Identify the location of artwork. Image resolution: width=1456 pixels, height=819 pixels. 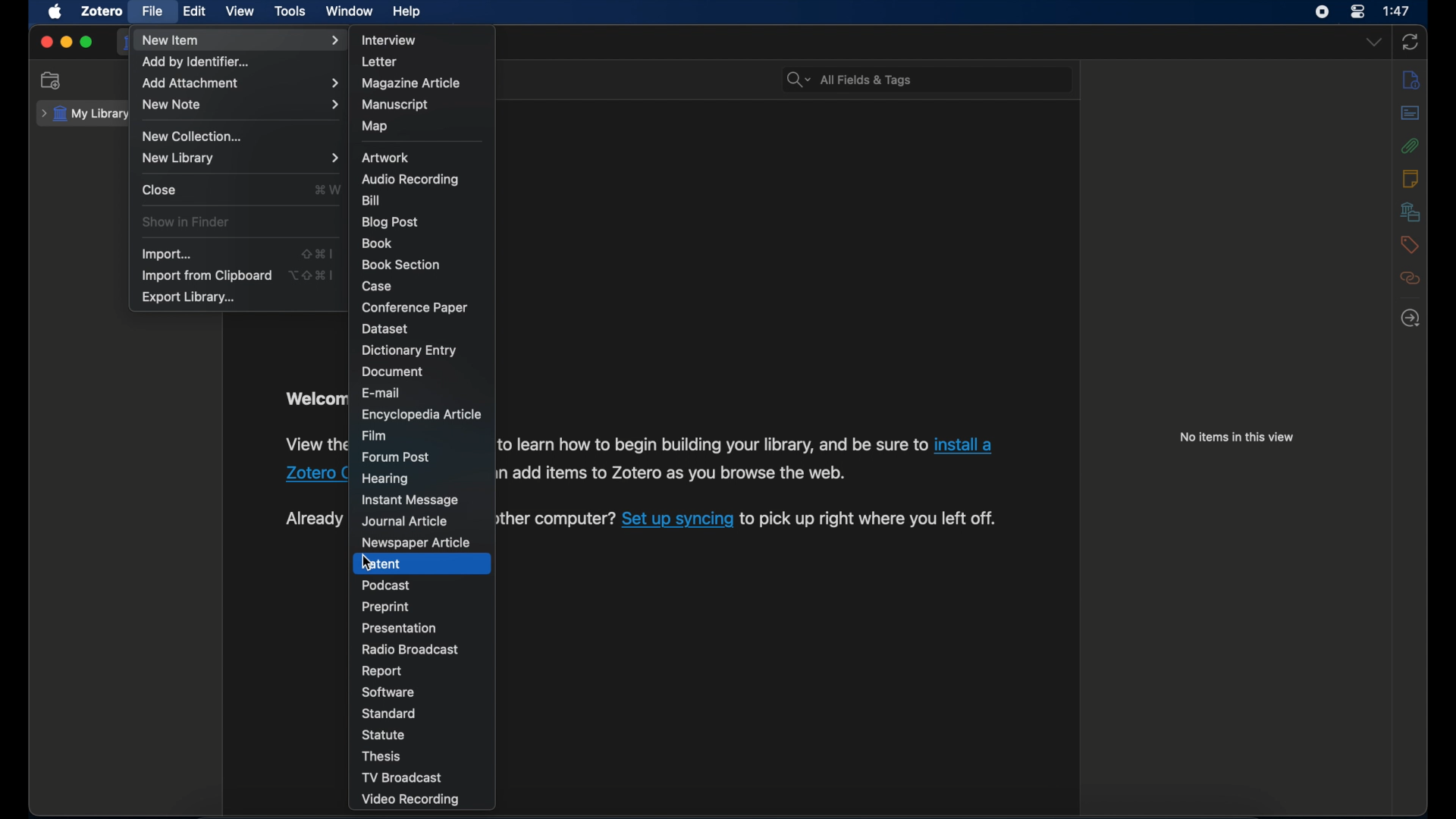
(386, 158).